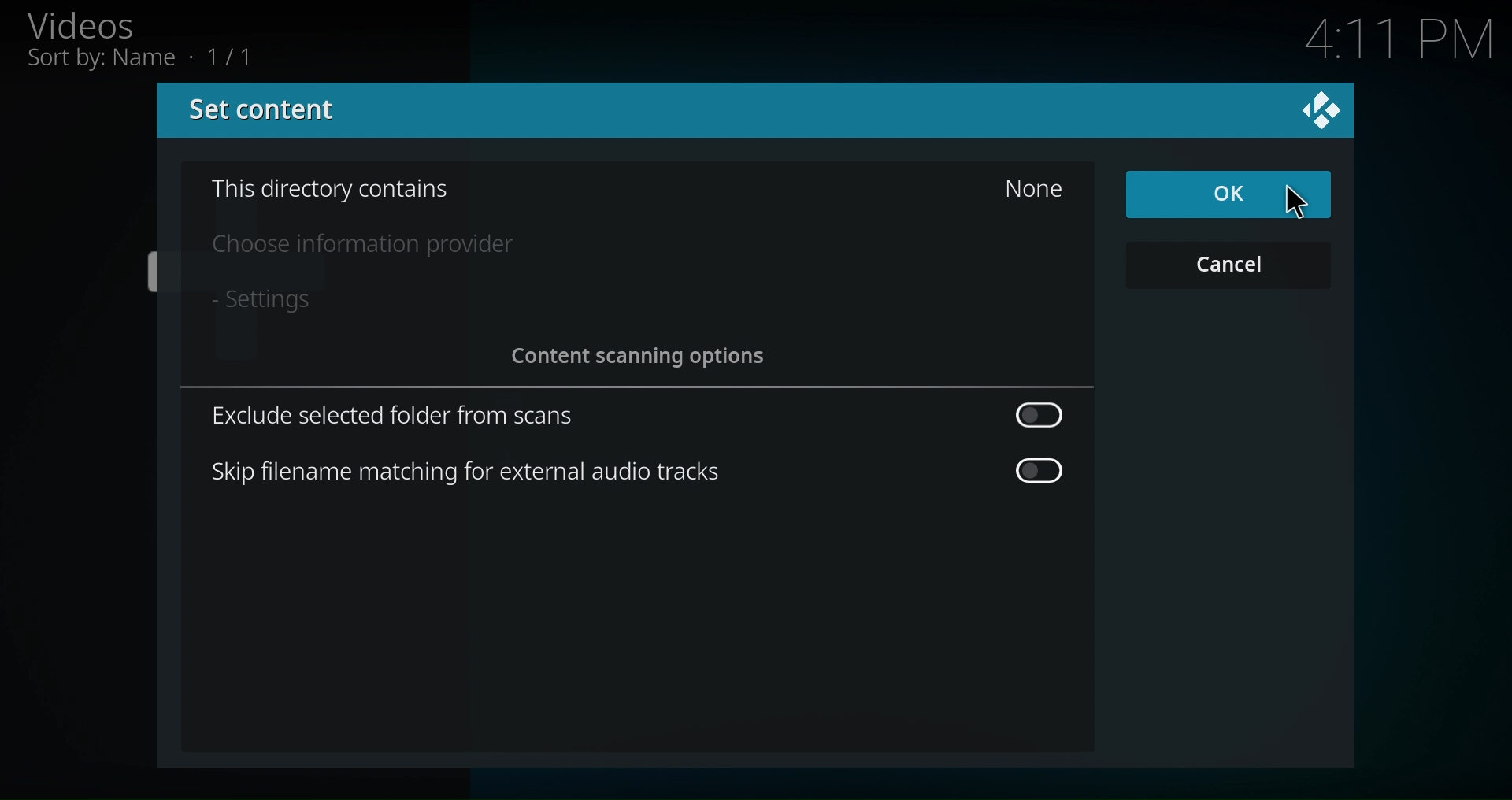  What do you see at coordinates (516, 244) in the screenshot?
I see `Choose information provider` at bounding box center [516, 244].